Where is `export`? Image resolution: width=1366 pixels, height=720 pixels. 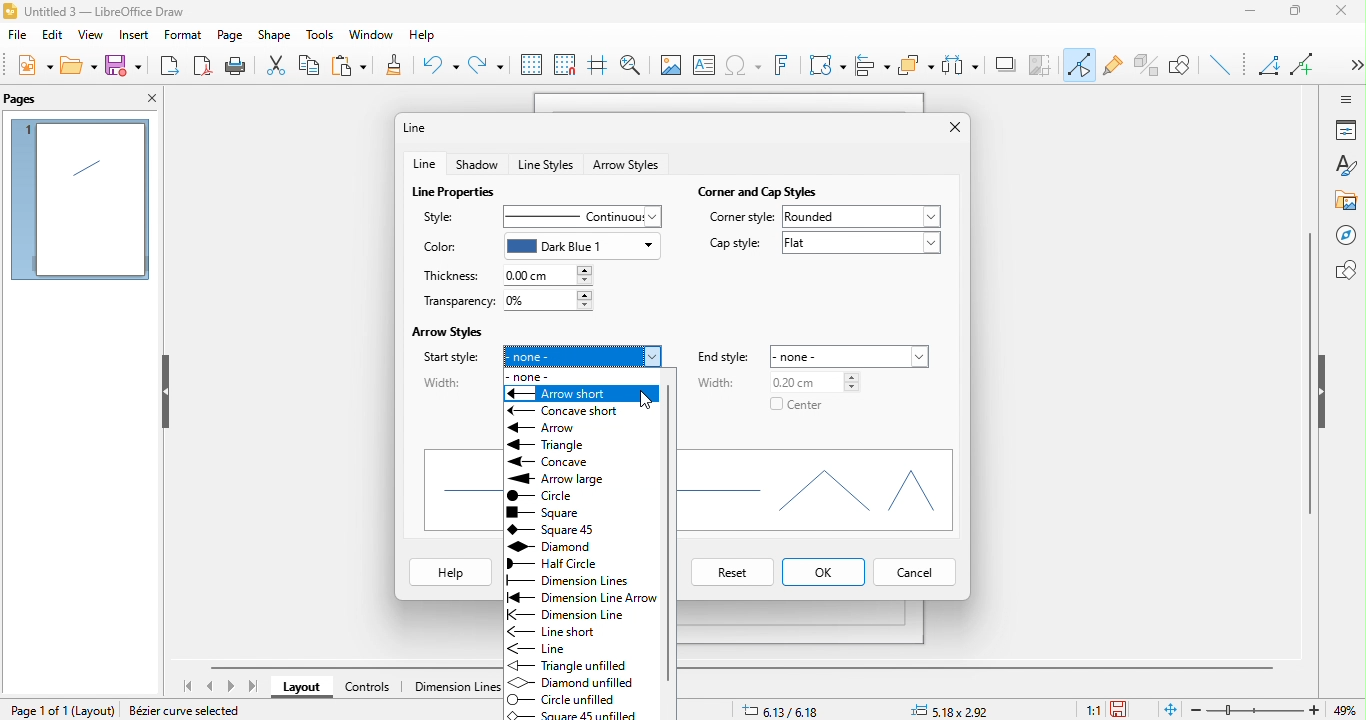 export is located at coordinates (171, 64).